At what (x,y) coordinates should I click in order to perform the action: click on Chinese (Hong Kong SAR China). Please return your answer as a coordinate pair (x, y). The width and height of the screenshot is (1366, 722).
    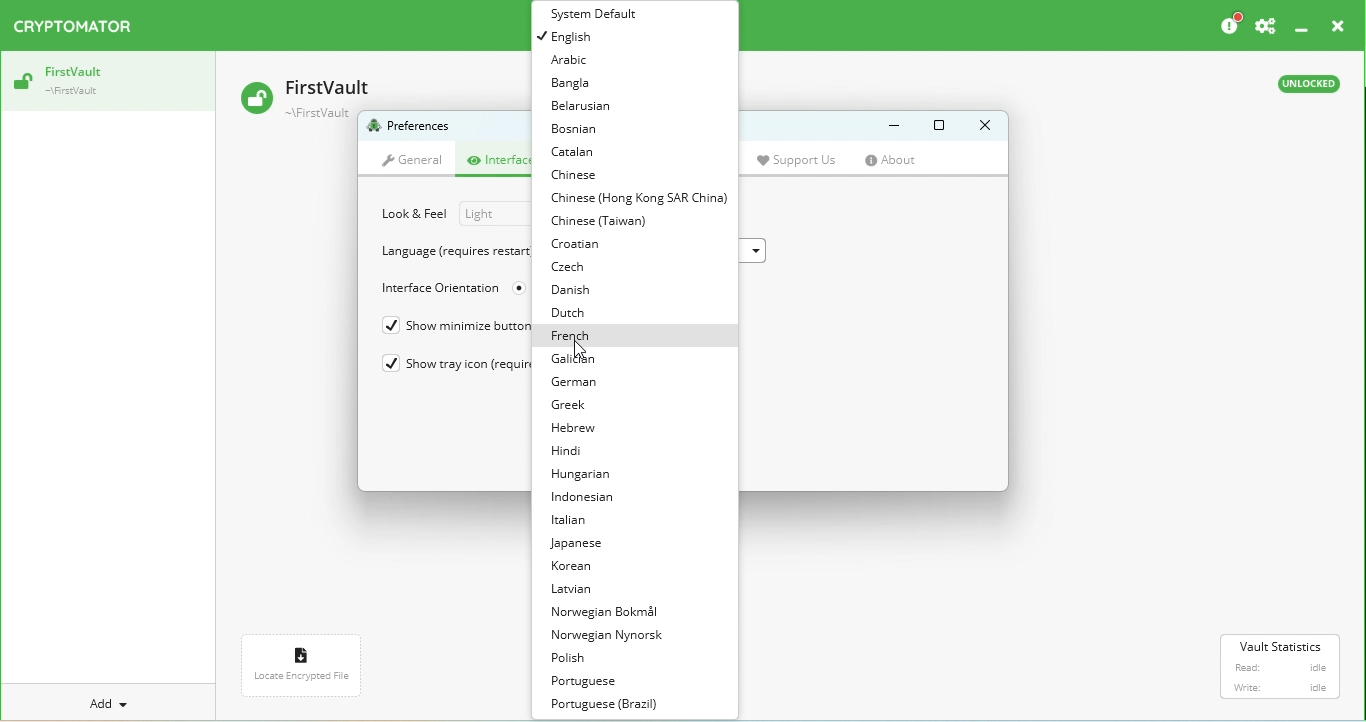
    Looking at the image, I should click on (641, 200).